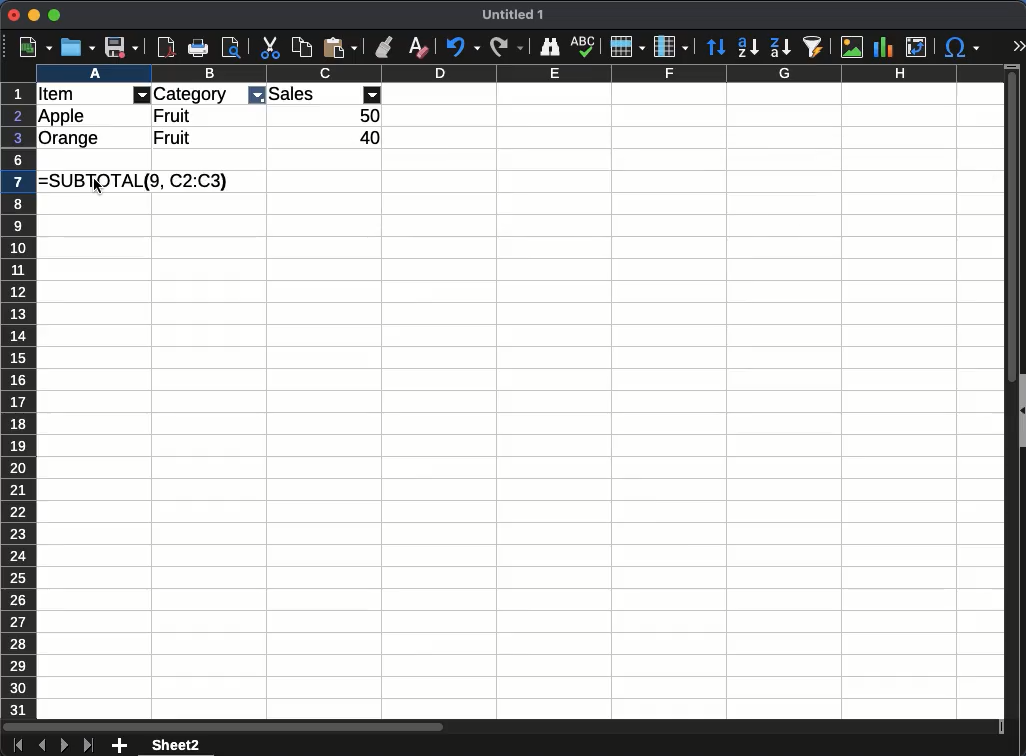 The width and height of the screenshot is (1026, 756). I want to click on filter, so click(256, 96).